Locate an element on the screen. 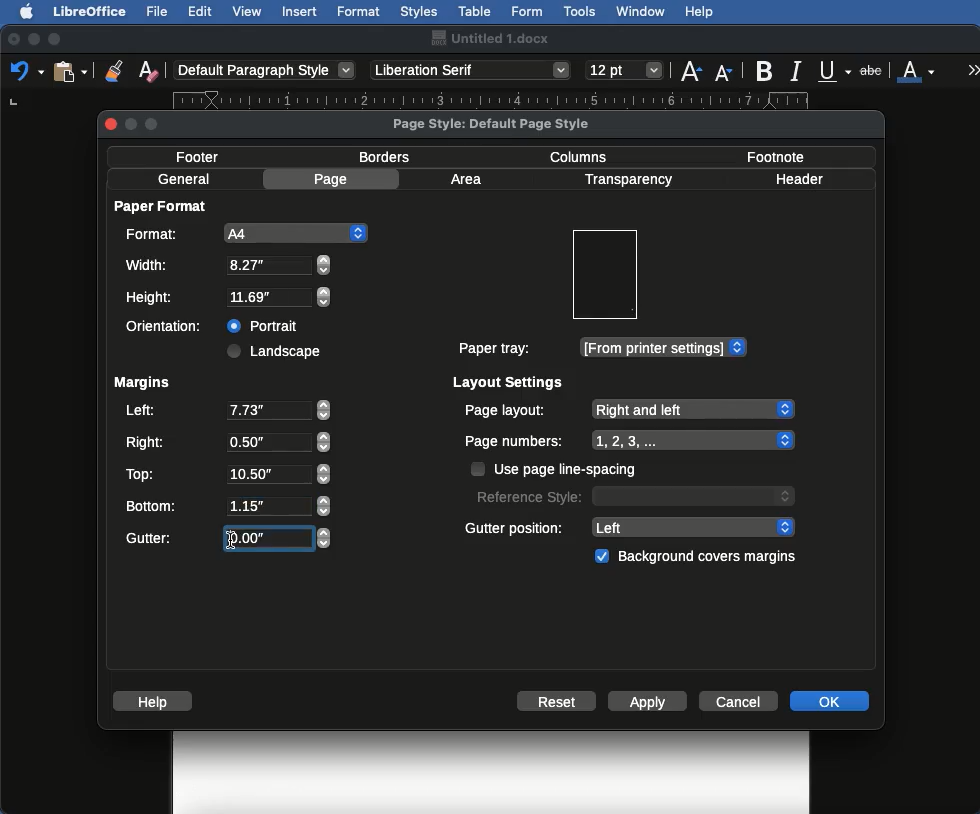  Borders is located at coordinates (386, 157).